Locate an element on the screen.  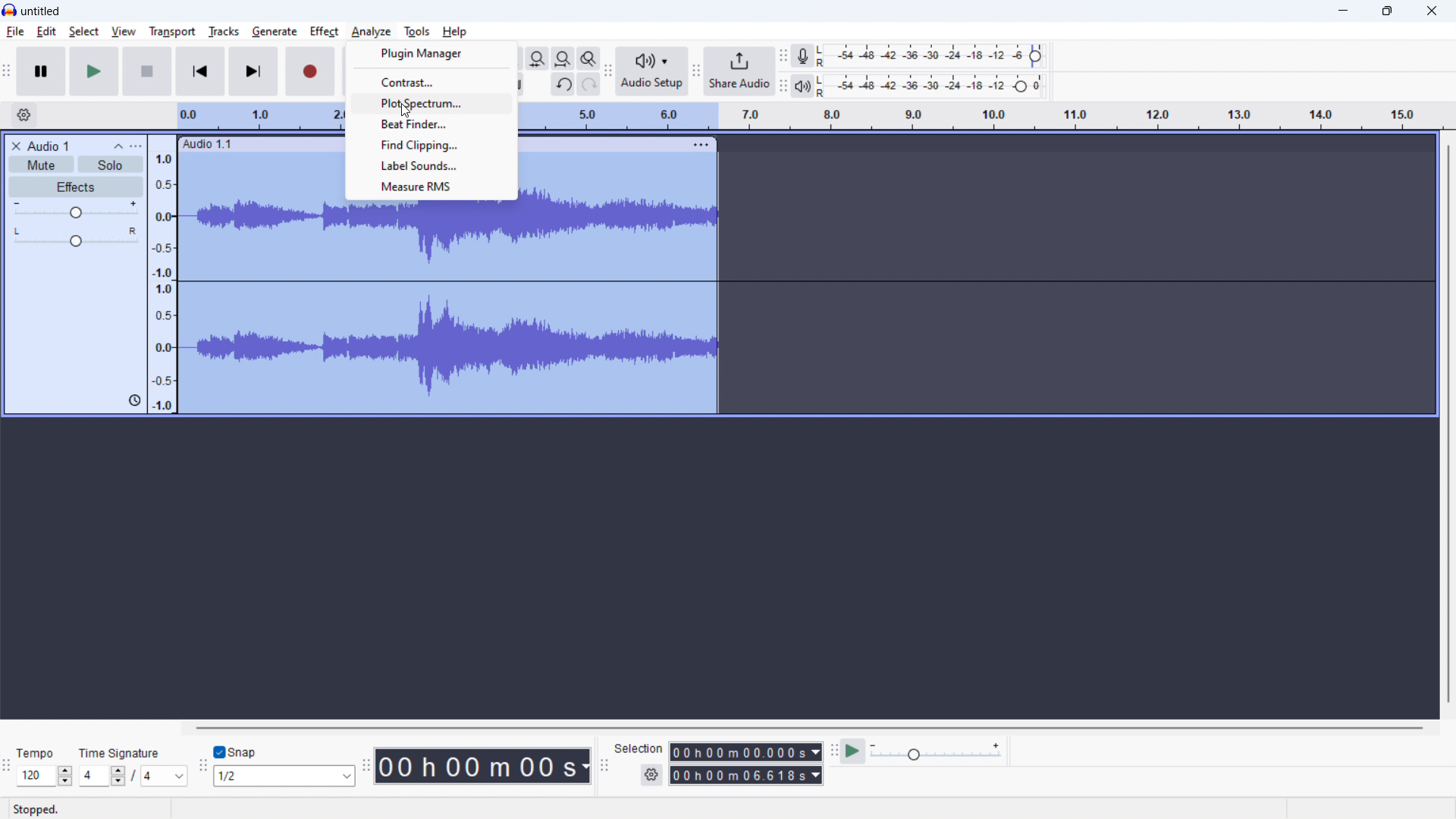
snapping toolbar is located at coordinates (202, 767).